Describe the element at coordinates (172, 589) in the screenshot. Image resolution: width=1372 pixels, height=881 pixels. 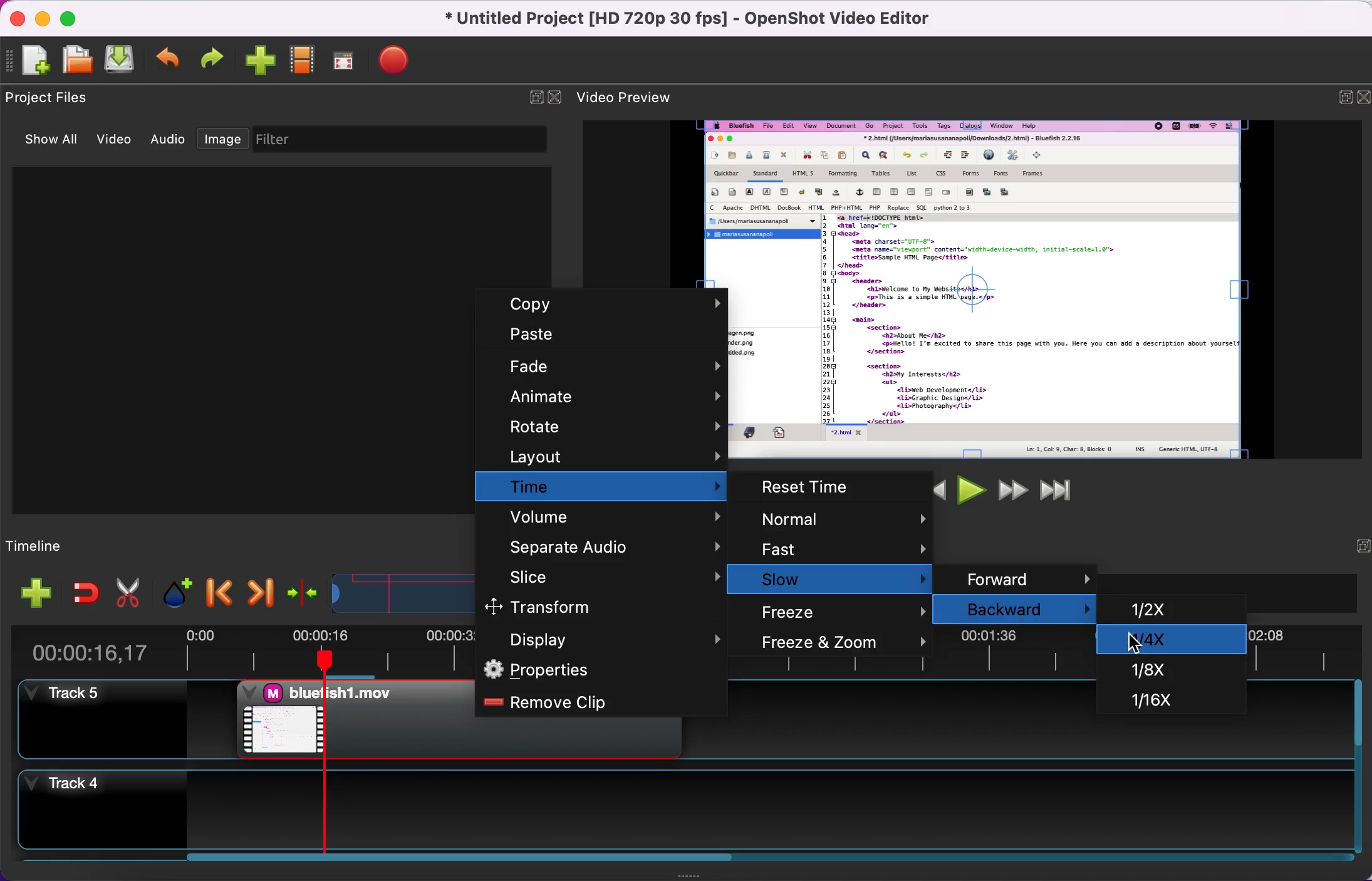
I see `add marker` at that location.